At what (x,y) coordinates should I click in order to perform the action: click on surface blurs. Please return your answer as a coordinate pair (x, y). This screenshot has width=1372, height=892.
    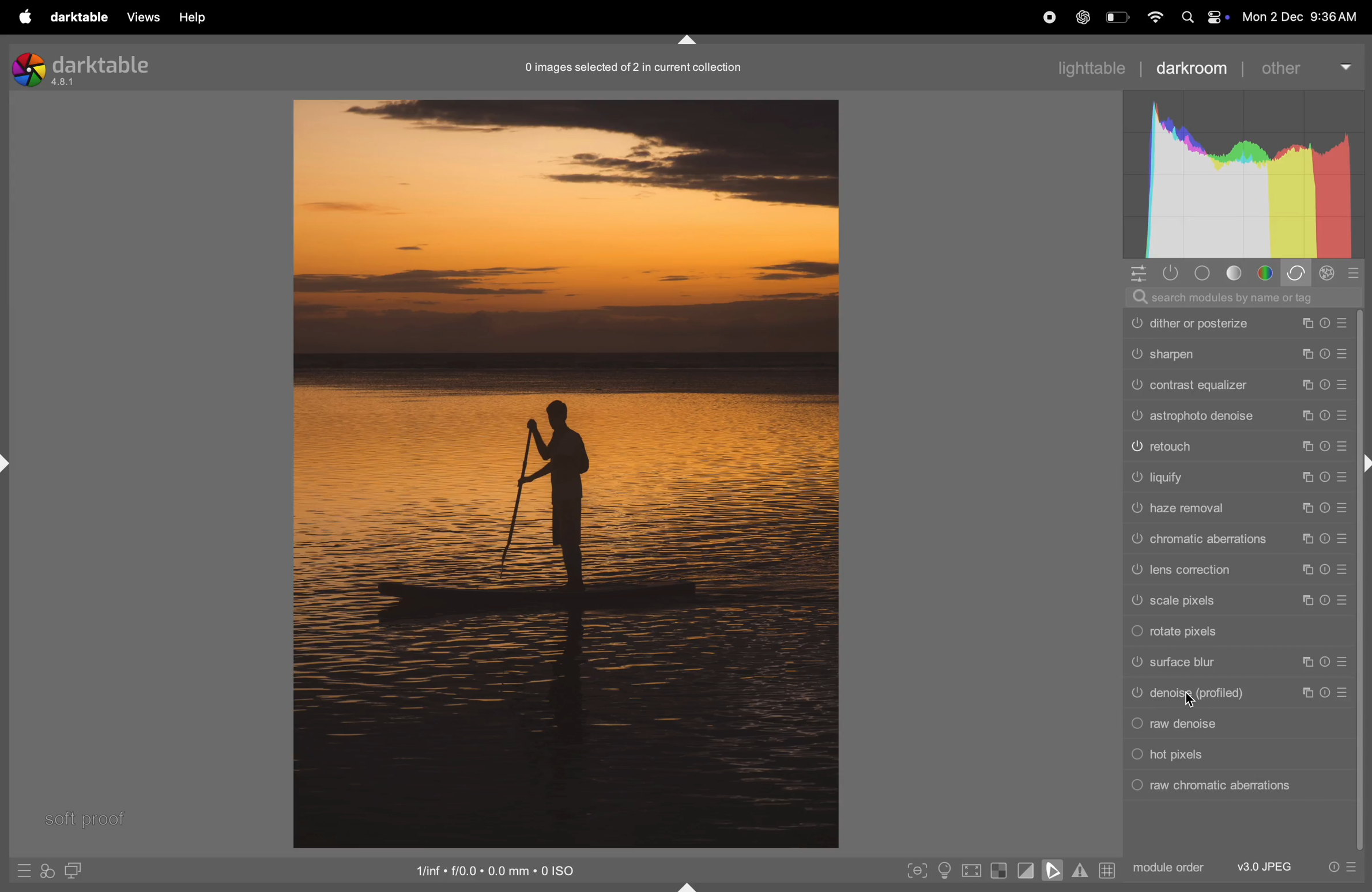
    Looking at the image, I should click on (1240, 662).